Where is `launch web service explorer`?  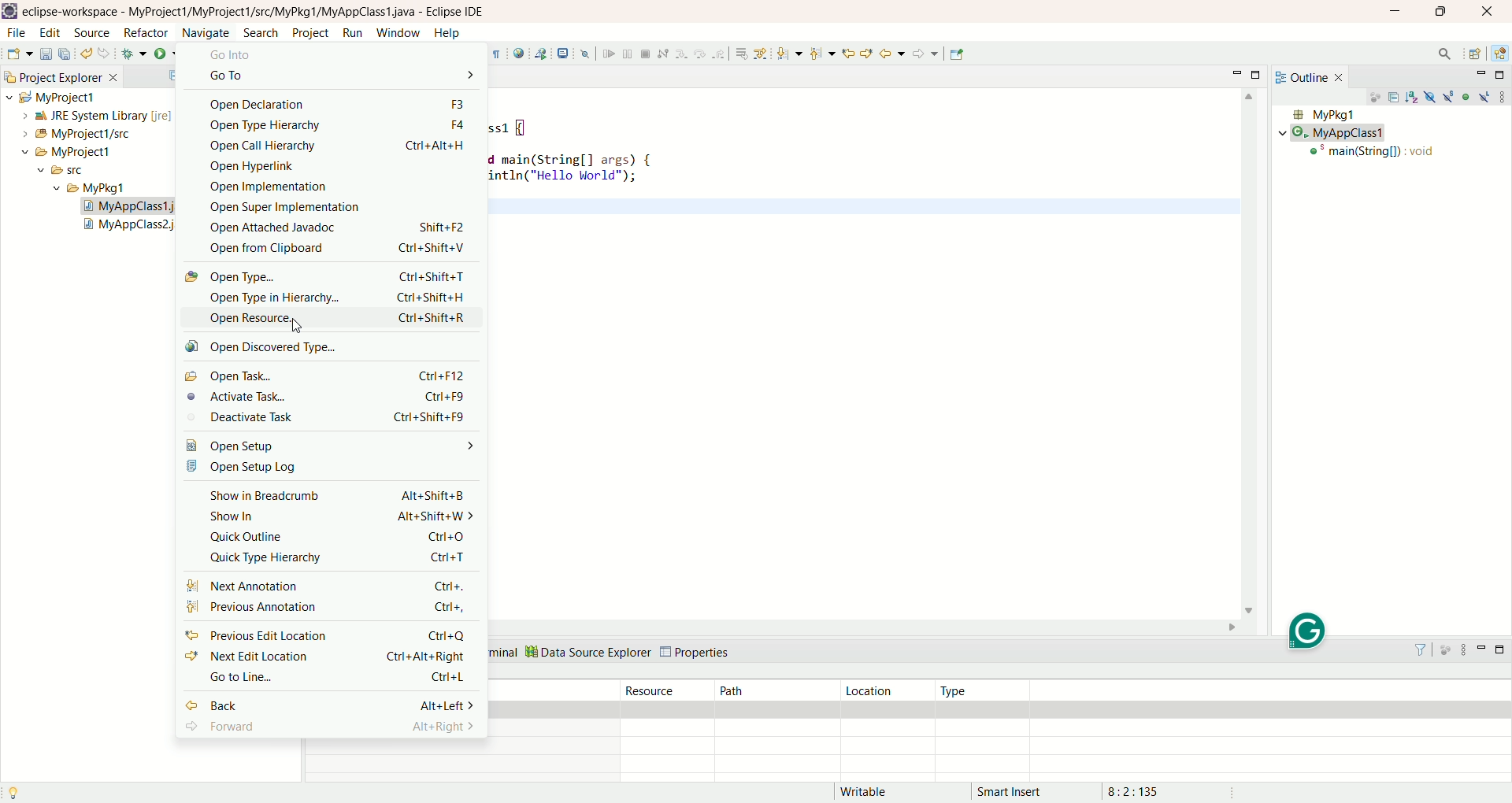 launch web service explorer is located at coordinates (541, 53).